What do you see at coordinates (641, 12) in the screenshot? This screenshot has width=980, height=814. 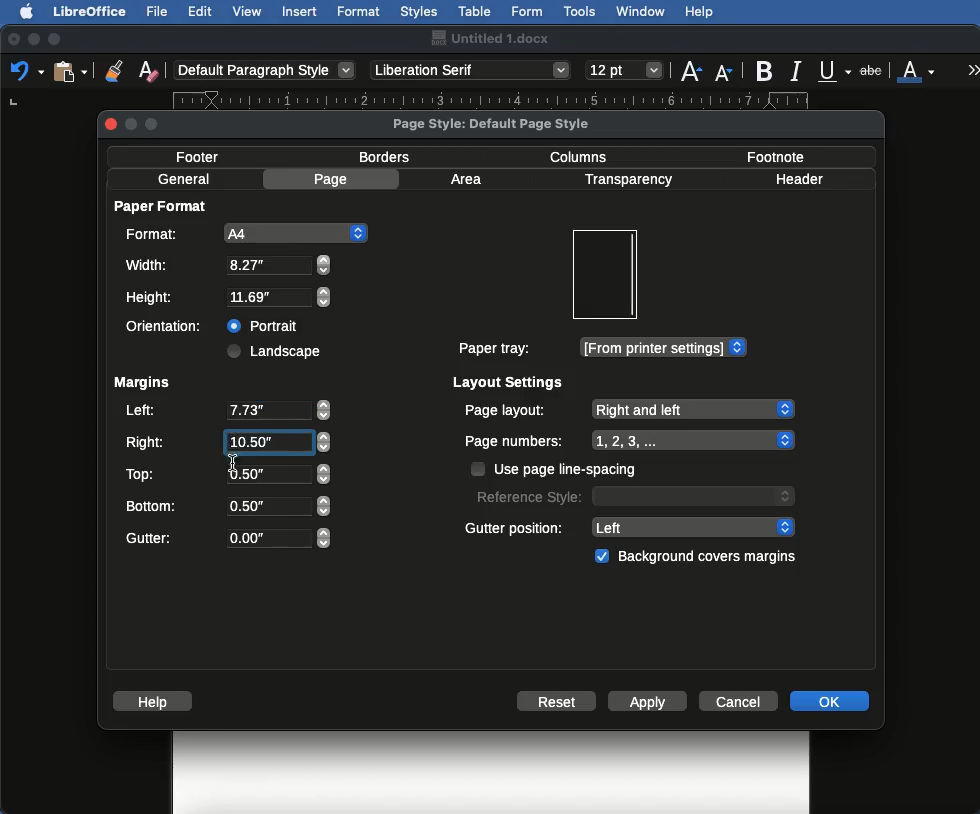 I see `Window` at bounding box center [641, 12].